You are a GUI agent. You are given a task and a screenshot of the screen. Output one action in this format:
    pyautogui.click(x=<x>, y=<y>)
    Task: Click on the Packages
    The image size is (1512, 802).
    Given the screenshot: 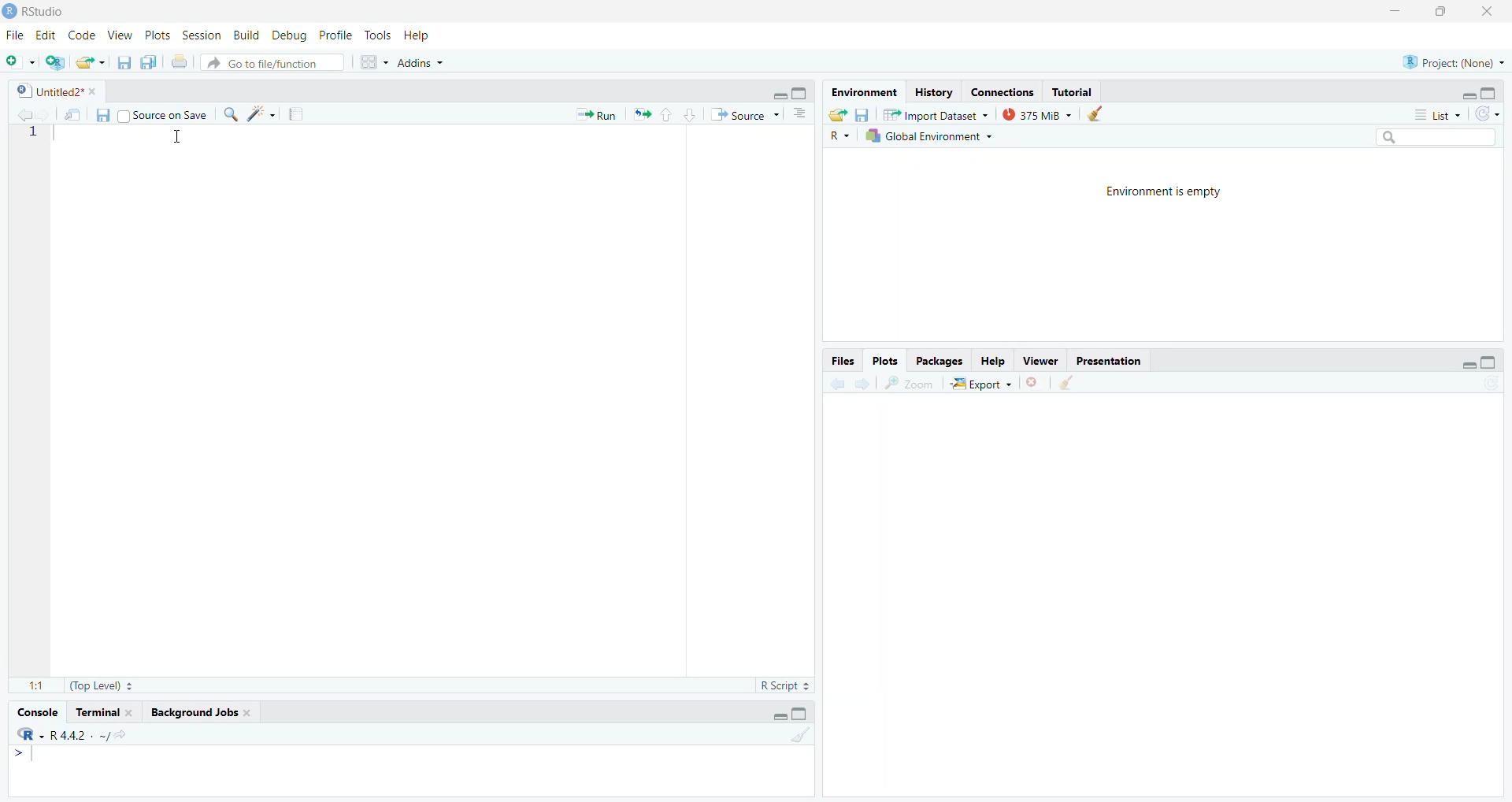 What is the action you would take?
    pyautogui.click(x=939, y=360)
    